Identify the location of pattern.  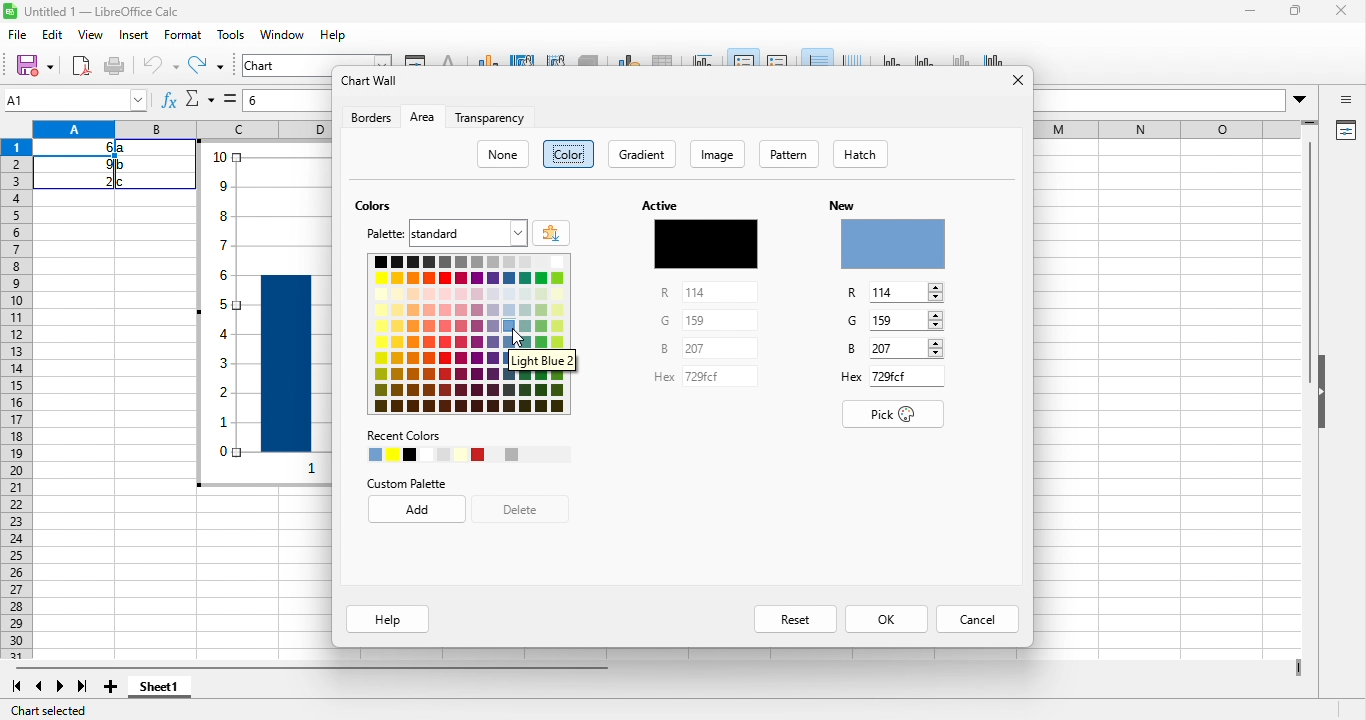
(791, 154).